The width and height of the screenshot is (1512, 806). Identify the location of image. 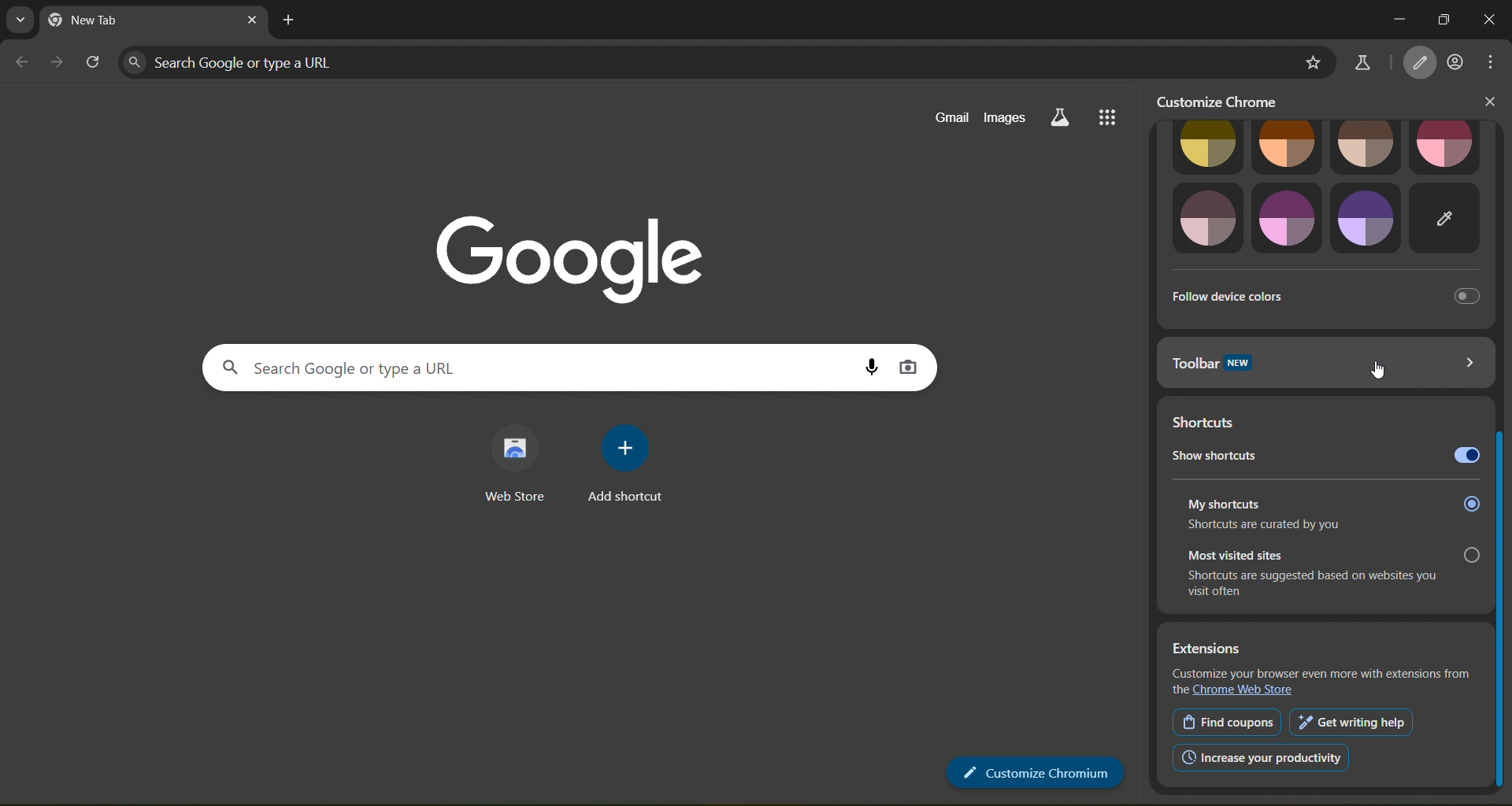
(1290, 146).